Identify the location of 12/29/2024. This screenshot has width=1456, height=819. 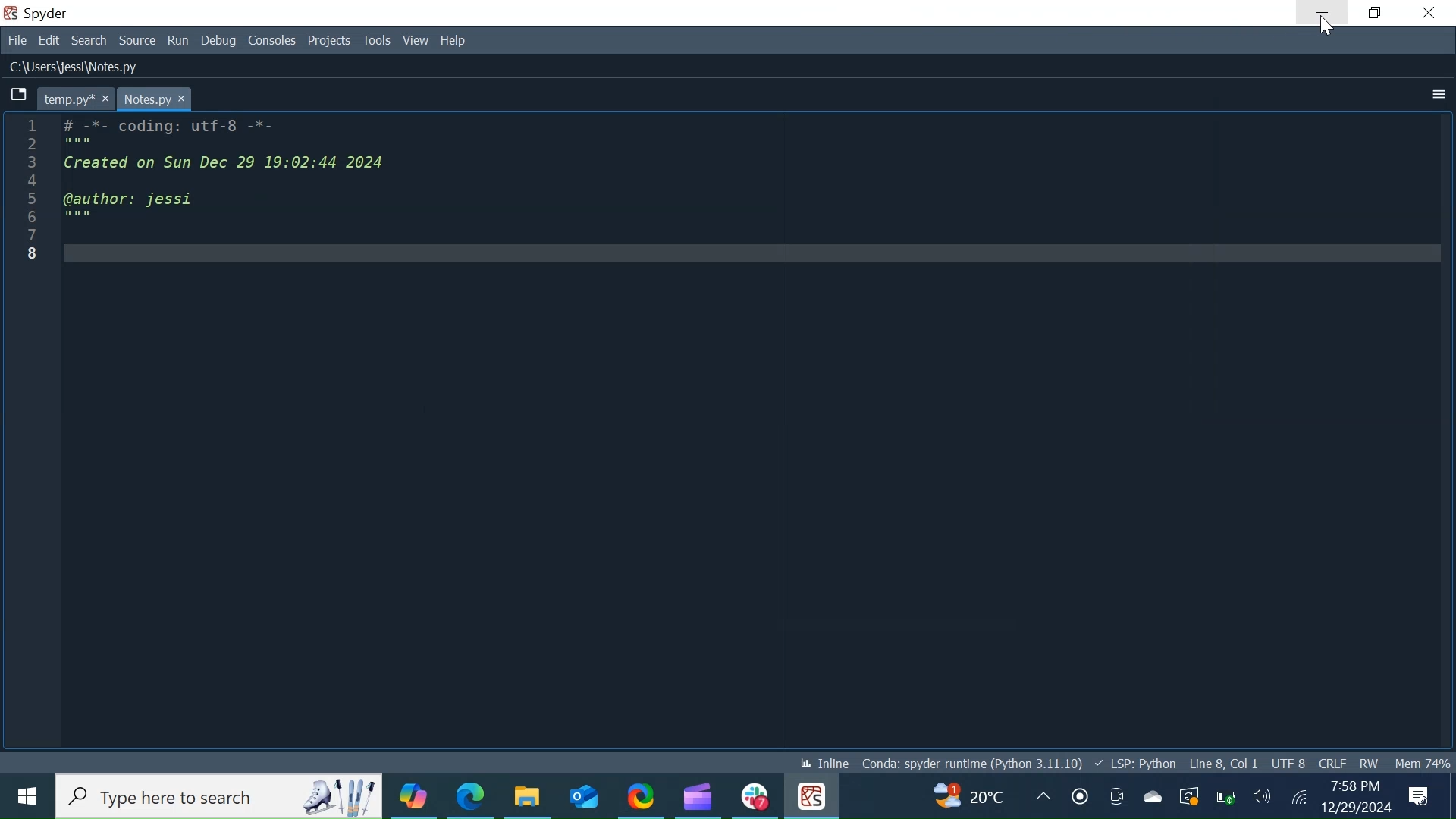
(1359, 808).